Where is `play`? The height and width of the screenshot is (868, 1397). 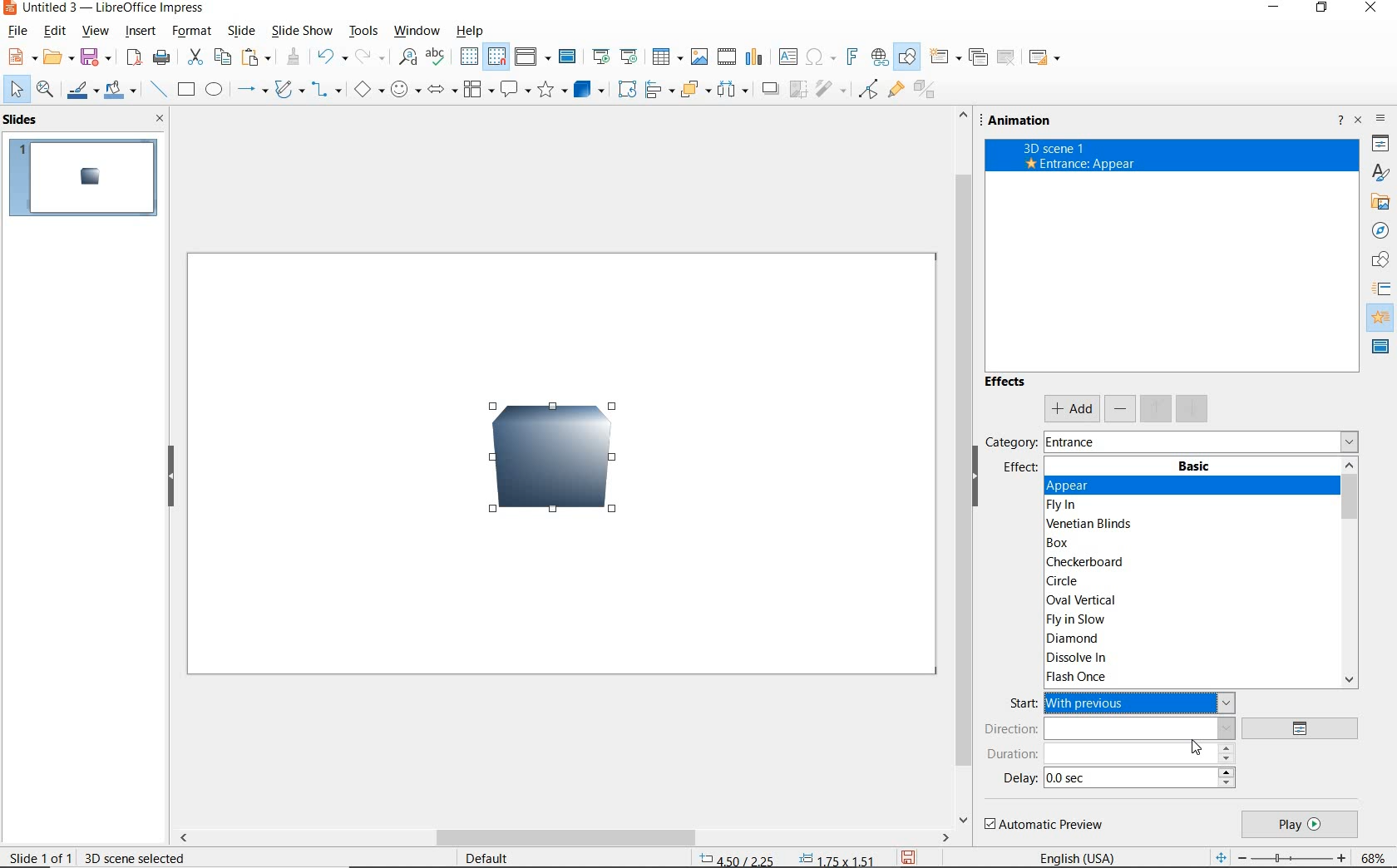
play is located at coordinates (1299, 825).